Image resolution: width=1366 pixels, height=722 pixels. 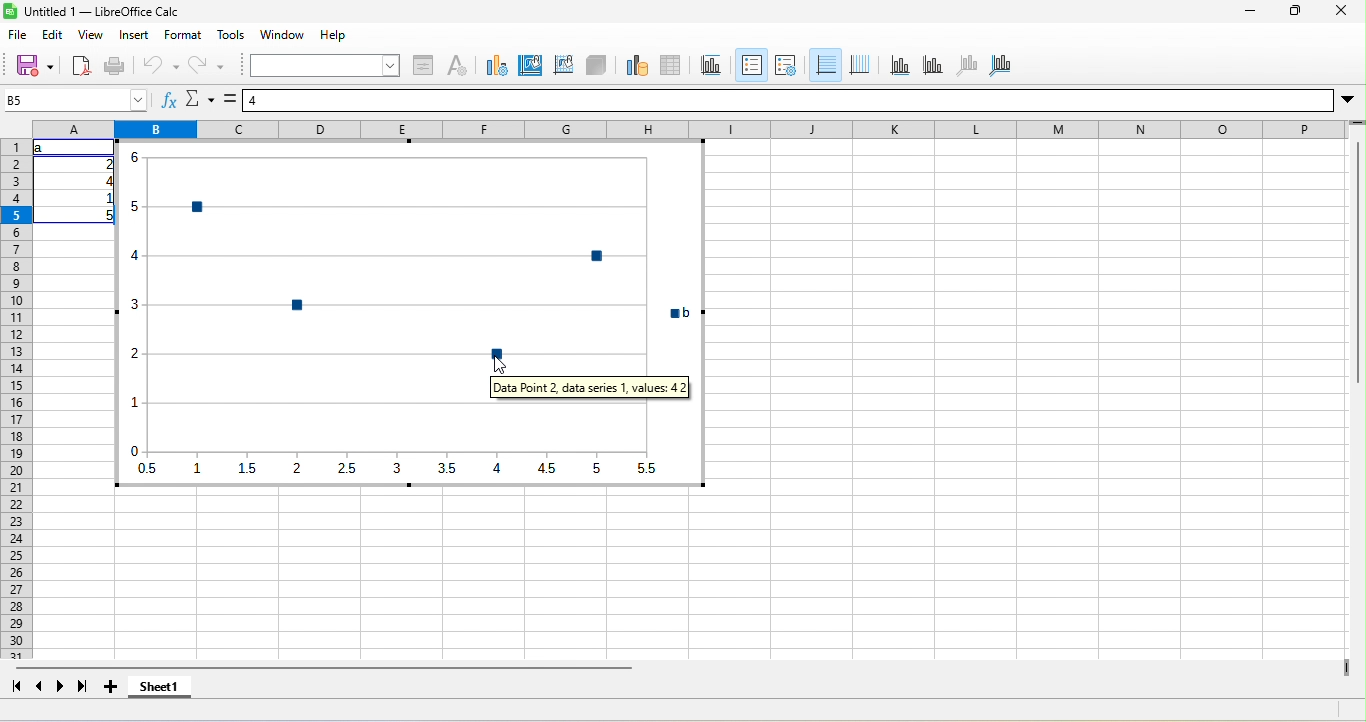 I want to click on legend, so click(x=786, y=67).